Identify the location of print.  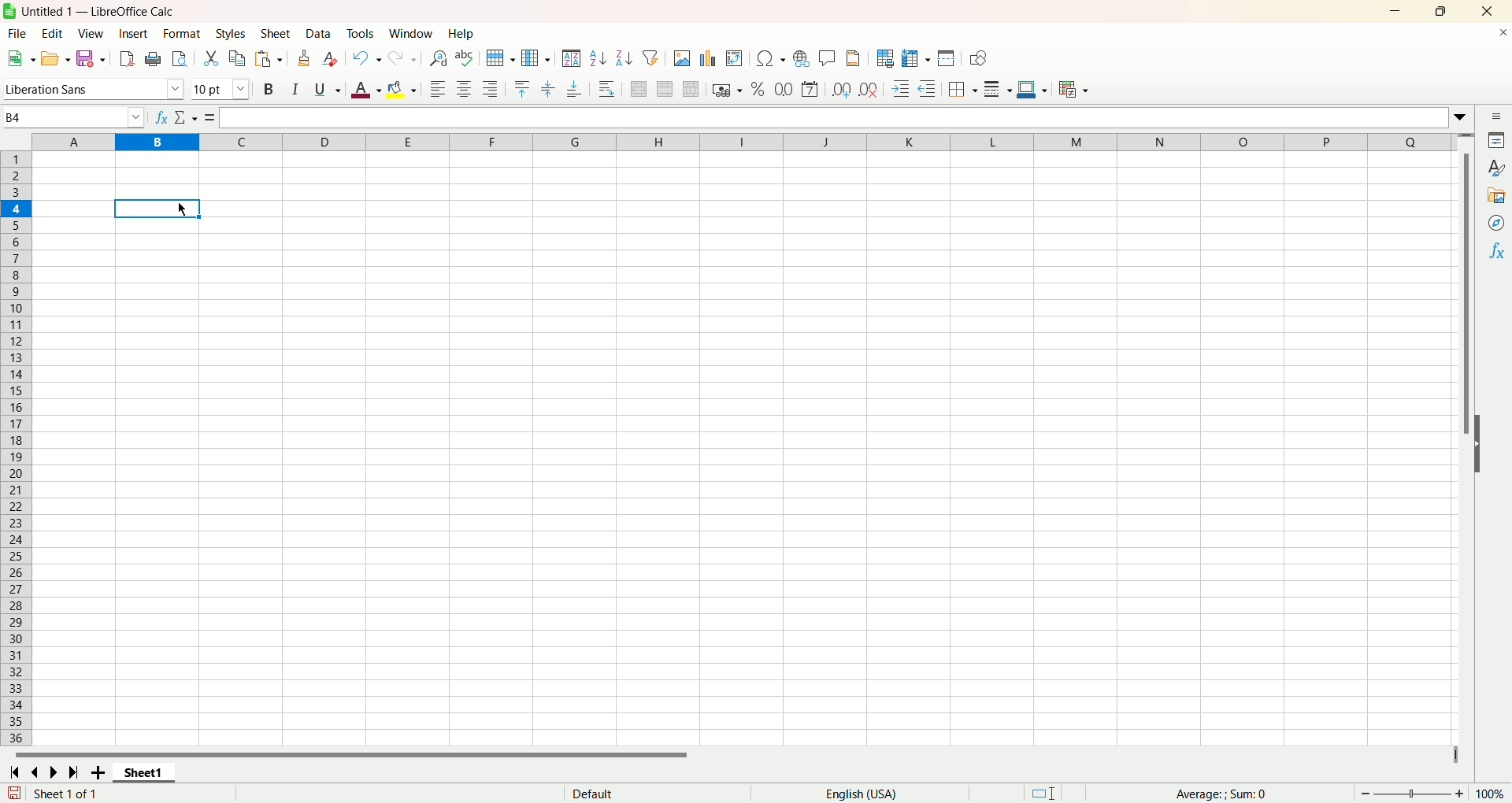
(154, 59).